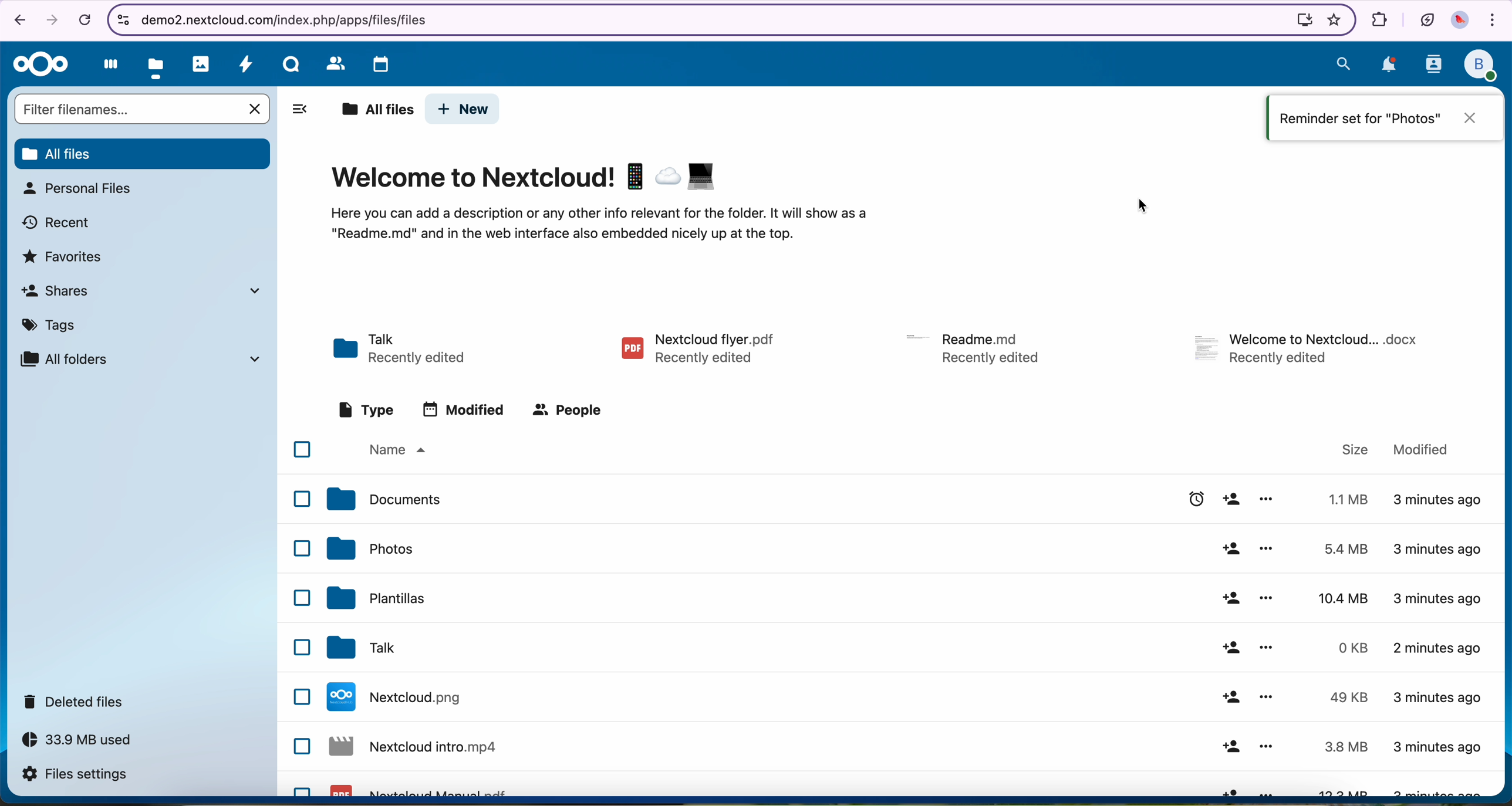  Describe the element at coordinates (374, 61) in the screenshot. I see `calendar` at that location.